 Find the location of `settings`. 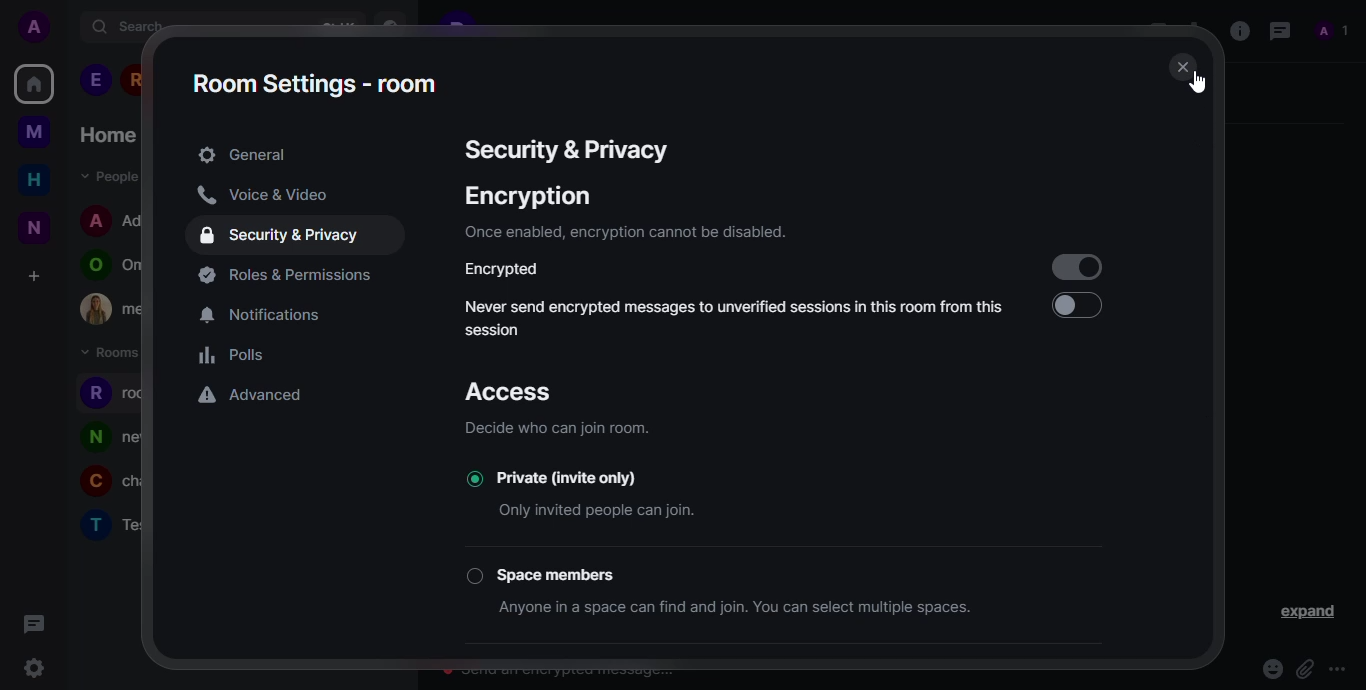

settings is located at coordinates (34, 667).